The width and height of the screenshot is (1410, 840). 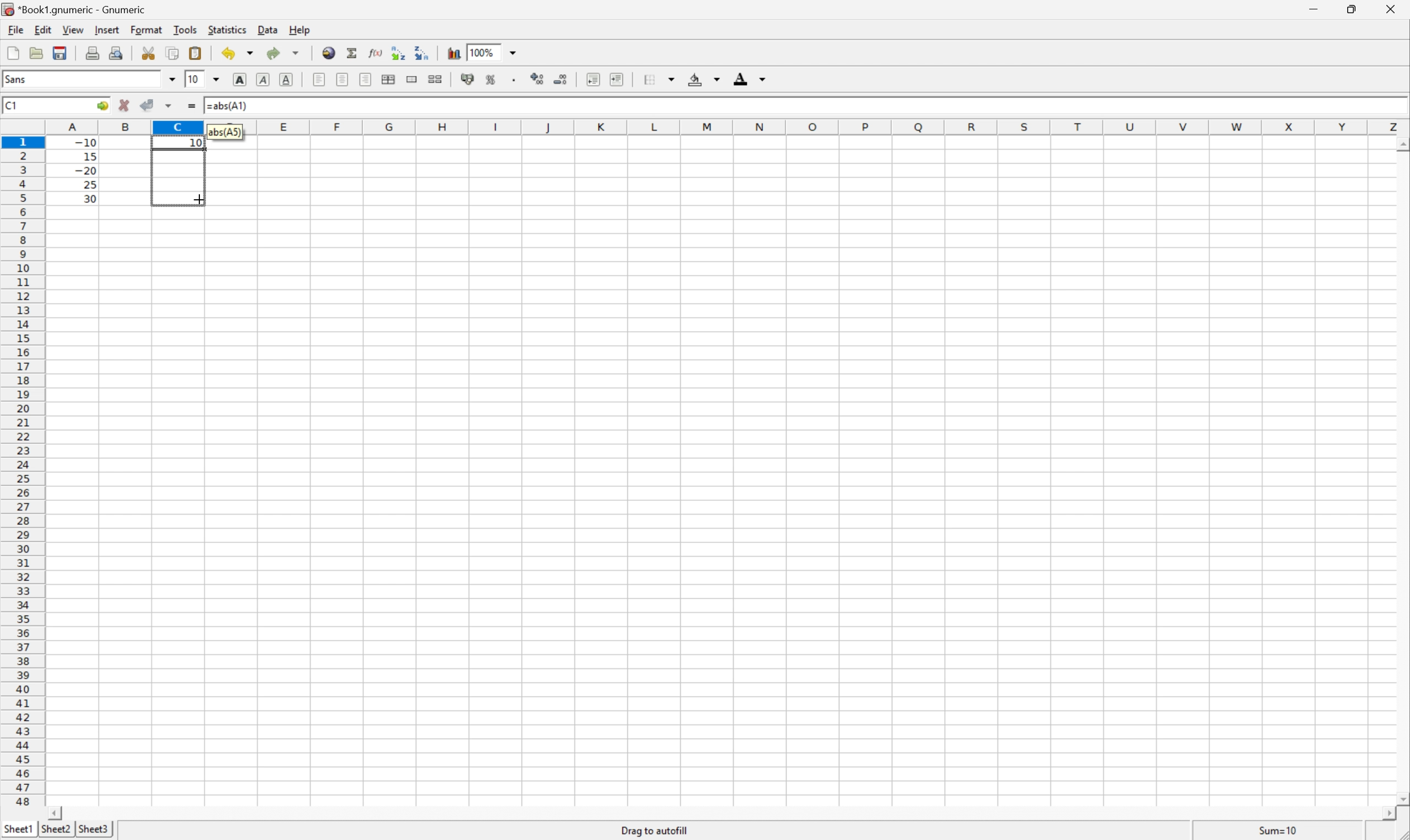 I want to click on sheet2, so click(x=55, y=830).